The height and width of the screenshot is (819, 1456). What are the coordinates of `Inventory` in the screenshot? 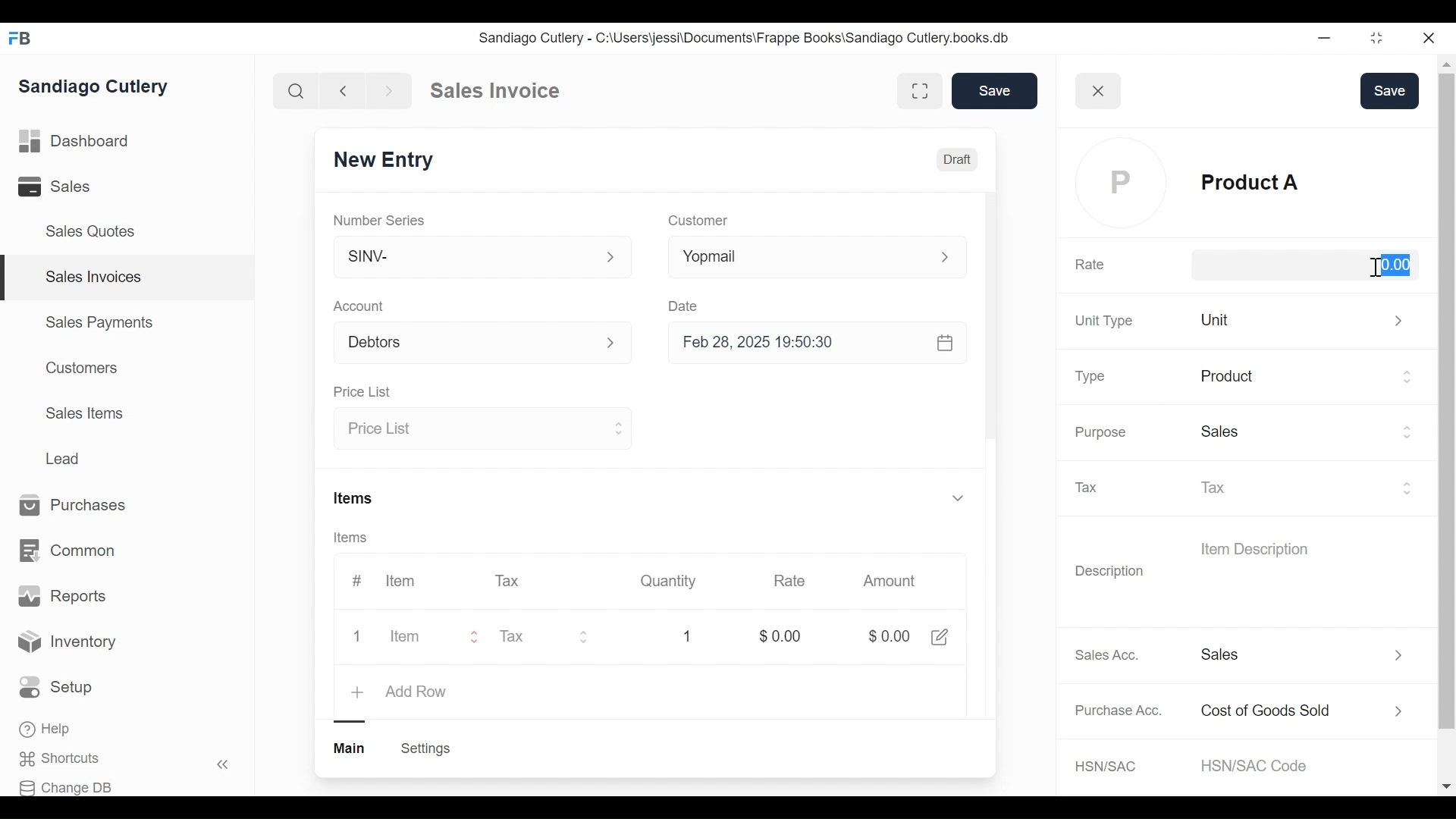 It's located at (67, 644).